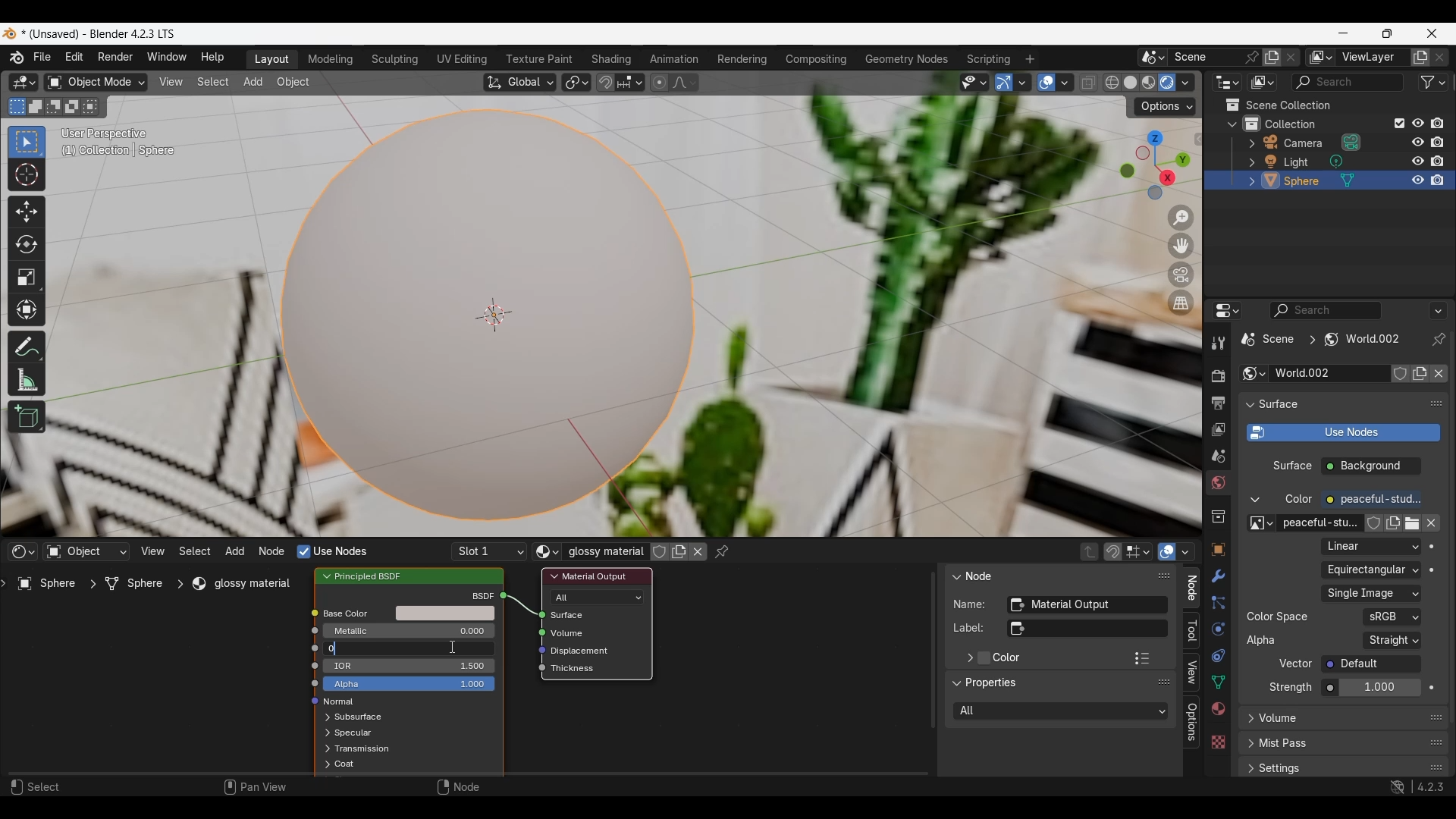 The image size is (1456, 819). I want to click on icon, so click(310, 703).